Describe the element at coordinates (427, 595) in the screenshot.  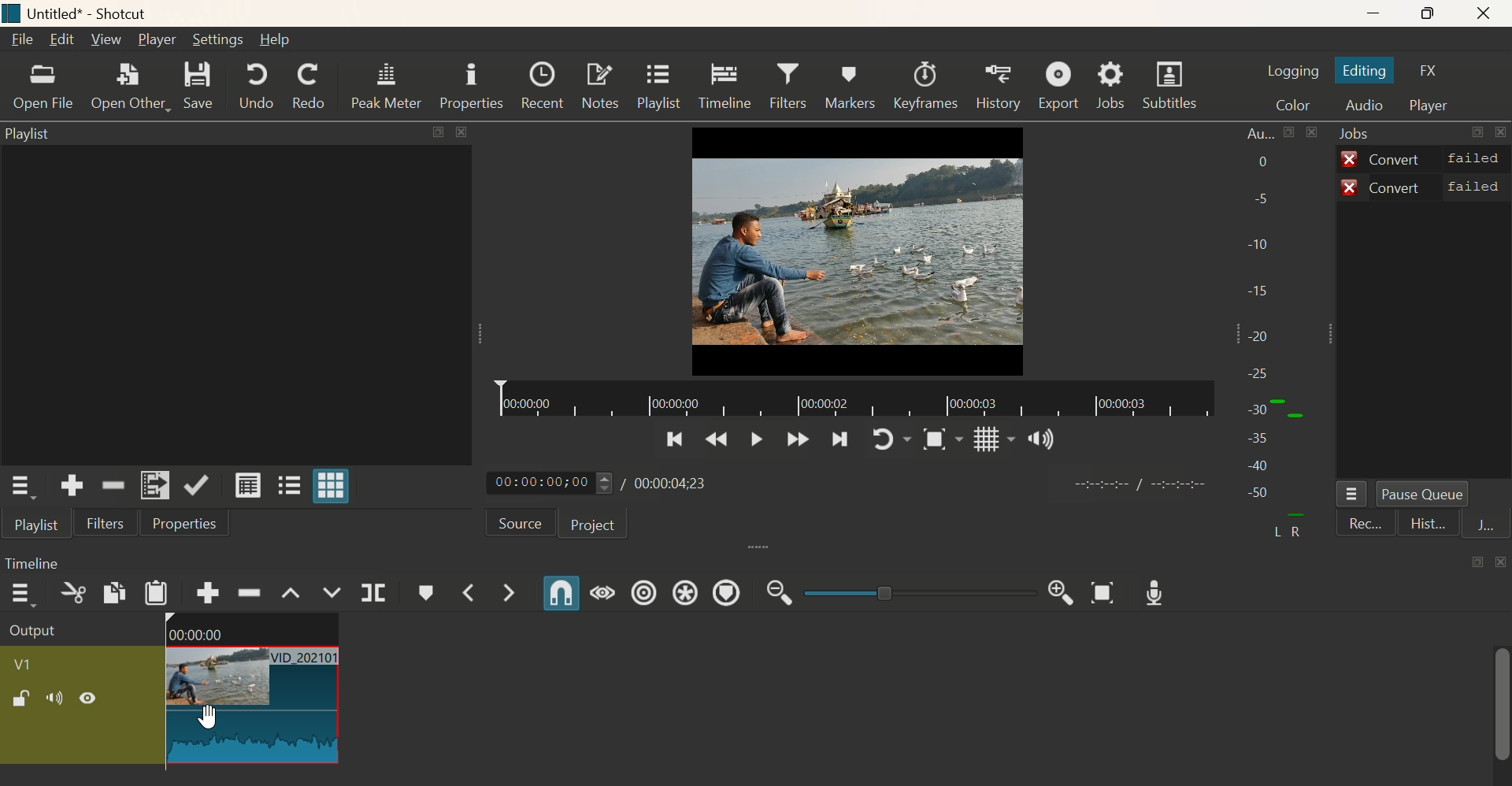
I see `Create/Edit  Marker` at that location.